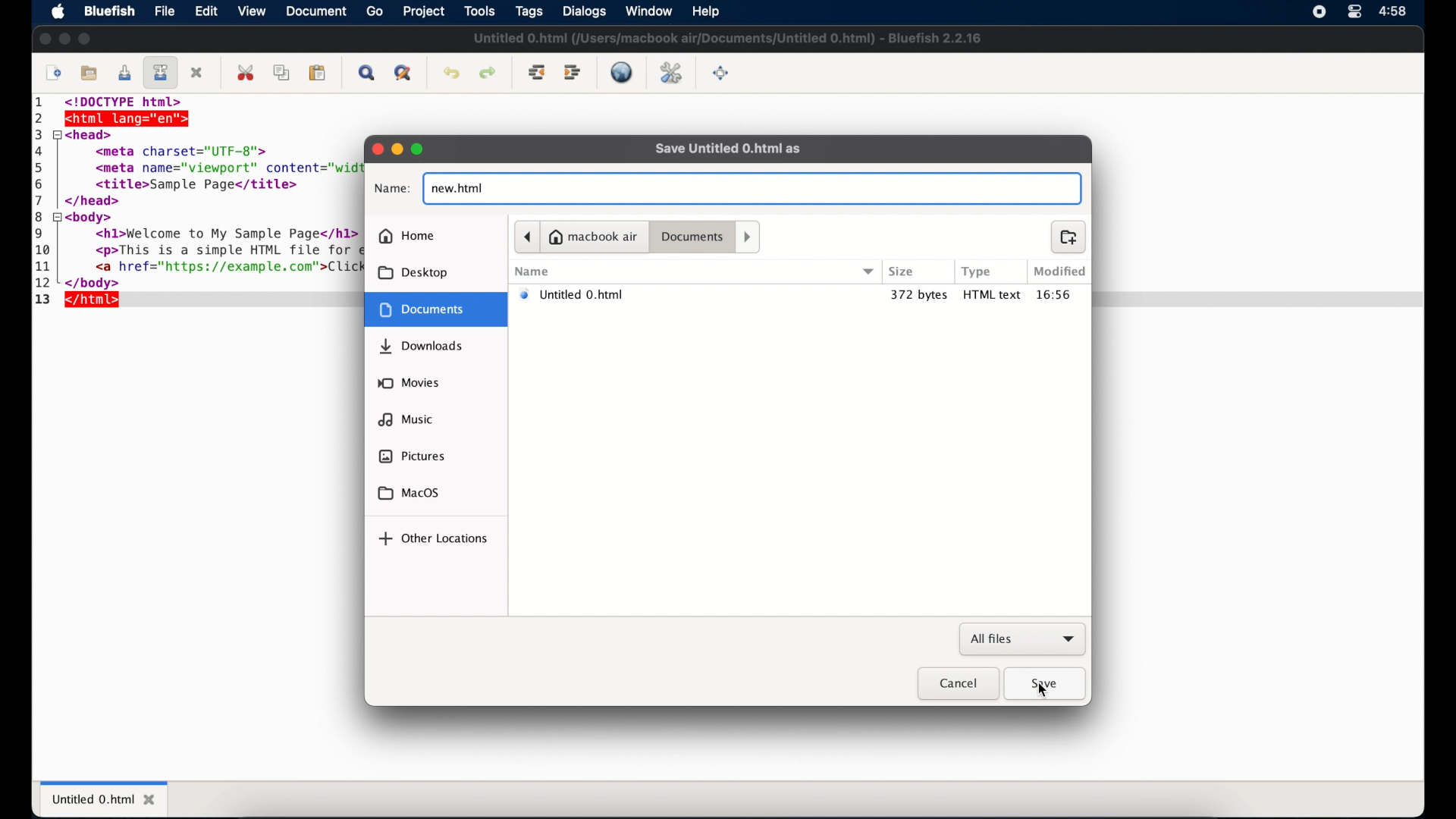 The image size is (1456, 819). Describe the element at coordinates (54, 74) in the screenshot. I see `new` at that location.